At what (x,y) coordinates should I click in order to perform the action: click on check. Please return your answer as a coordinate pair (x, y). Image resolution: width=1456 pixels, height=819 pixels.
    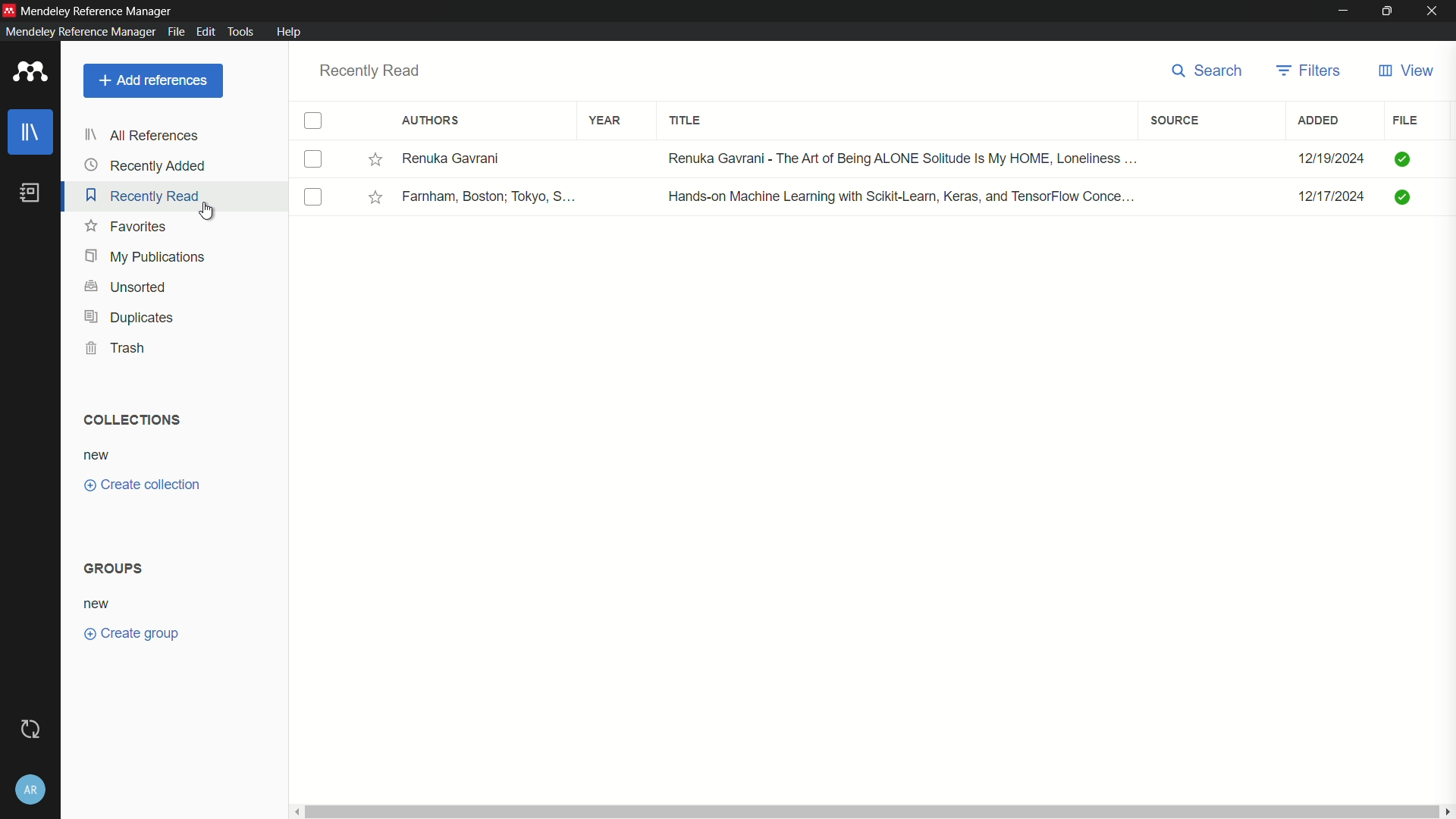
    Looking at the image, I should click on (1404, 196).